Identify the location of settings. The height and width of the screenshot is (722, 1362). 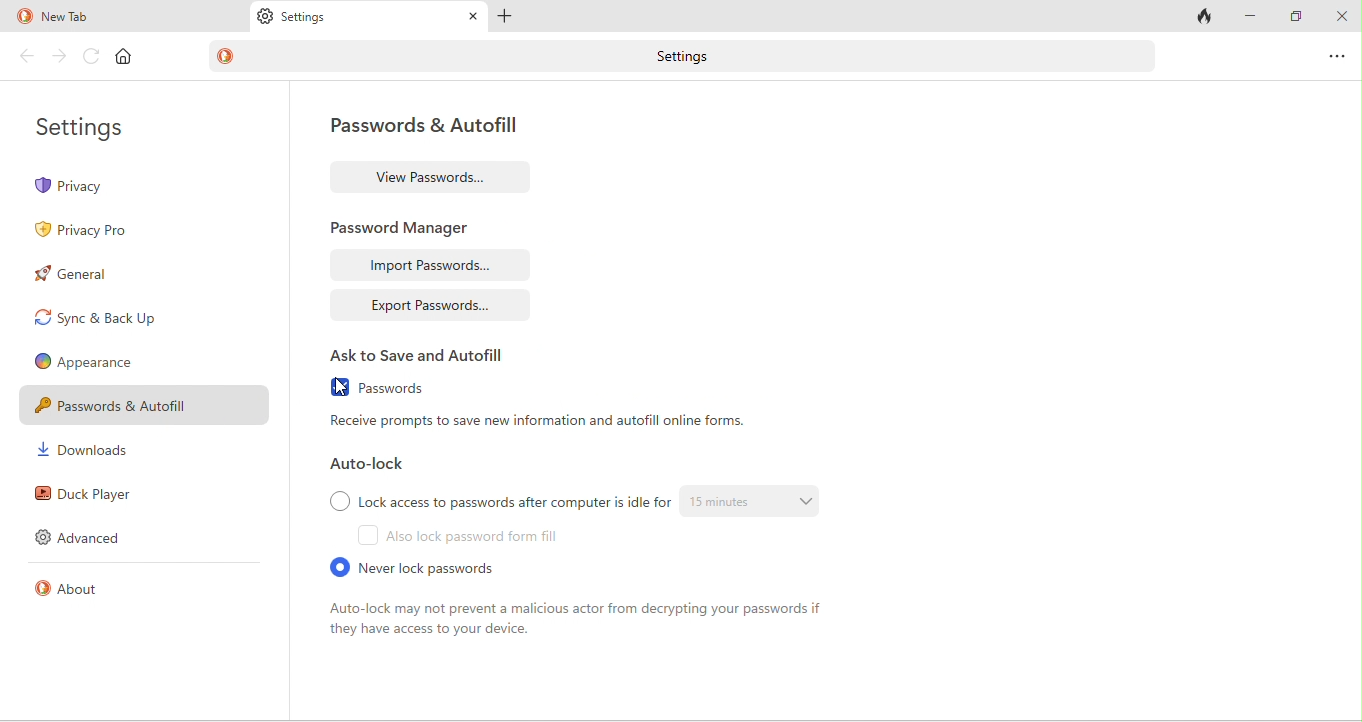
(310, 20).